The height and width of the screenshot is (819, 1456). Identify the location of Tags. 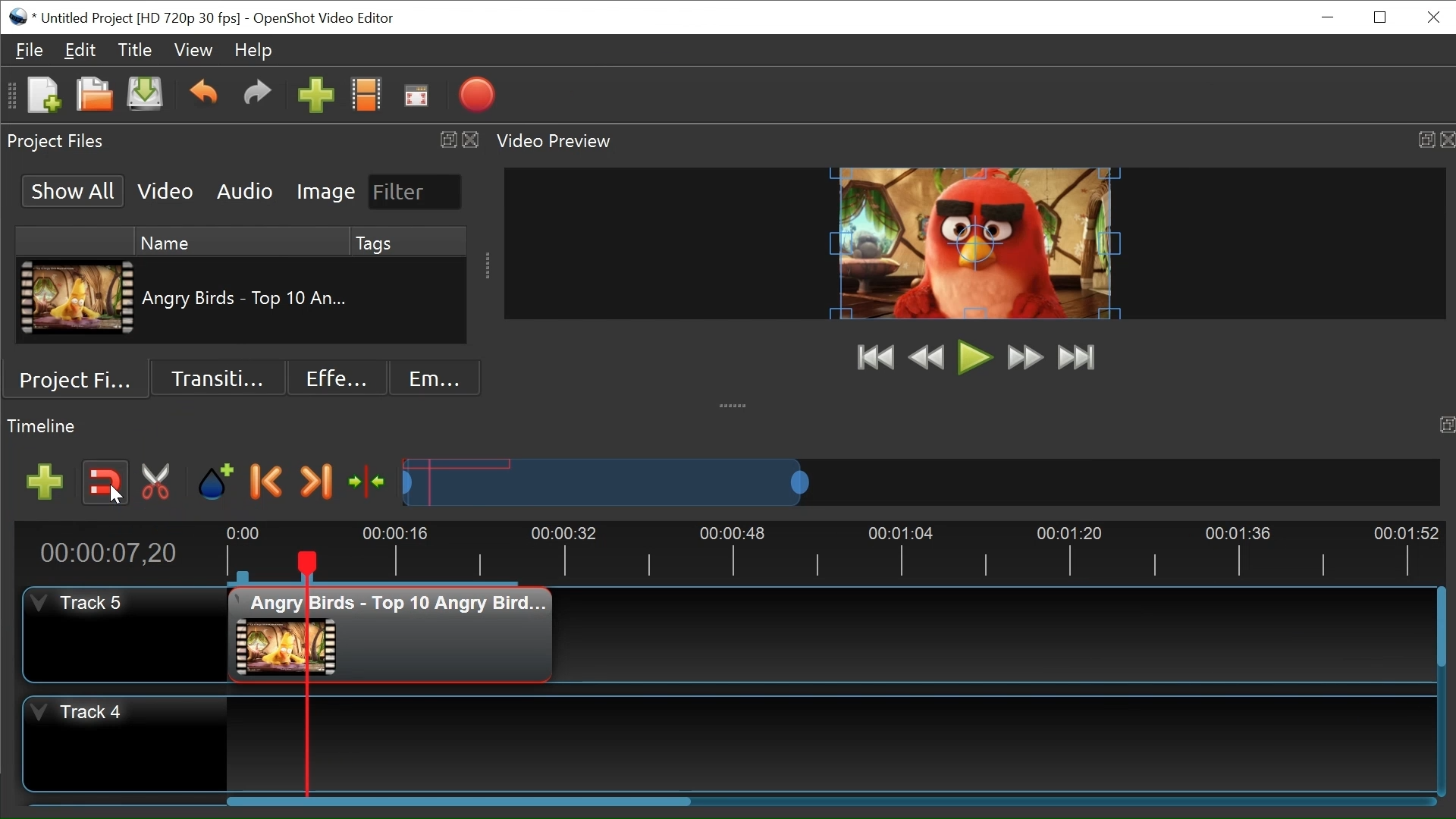
(407, 241).